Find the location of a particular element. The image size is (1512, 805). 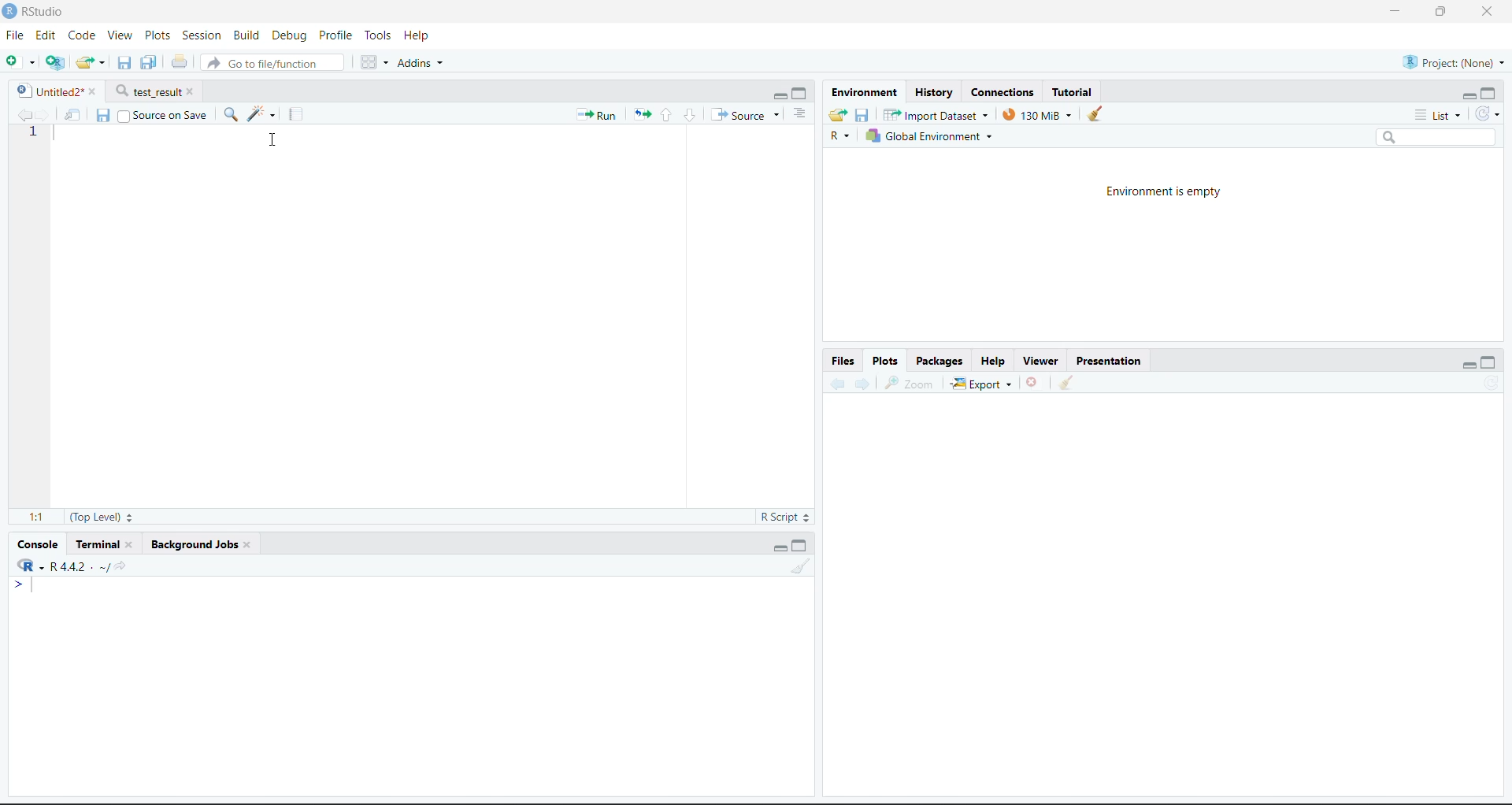

130kib used by R session (Source: Windows System) is located at coordinates (1038, 115).